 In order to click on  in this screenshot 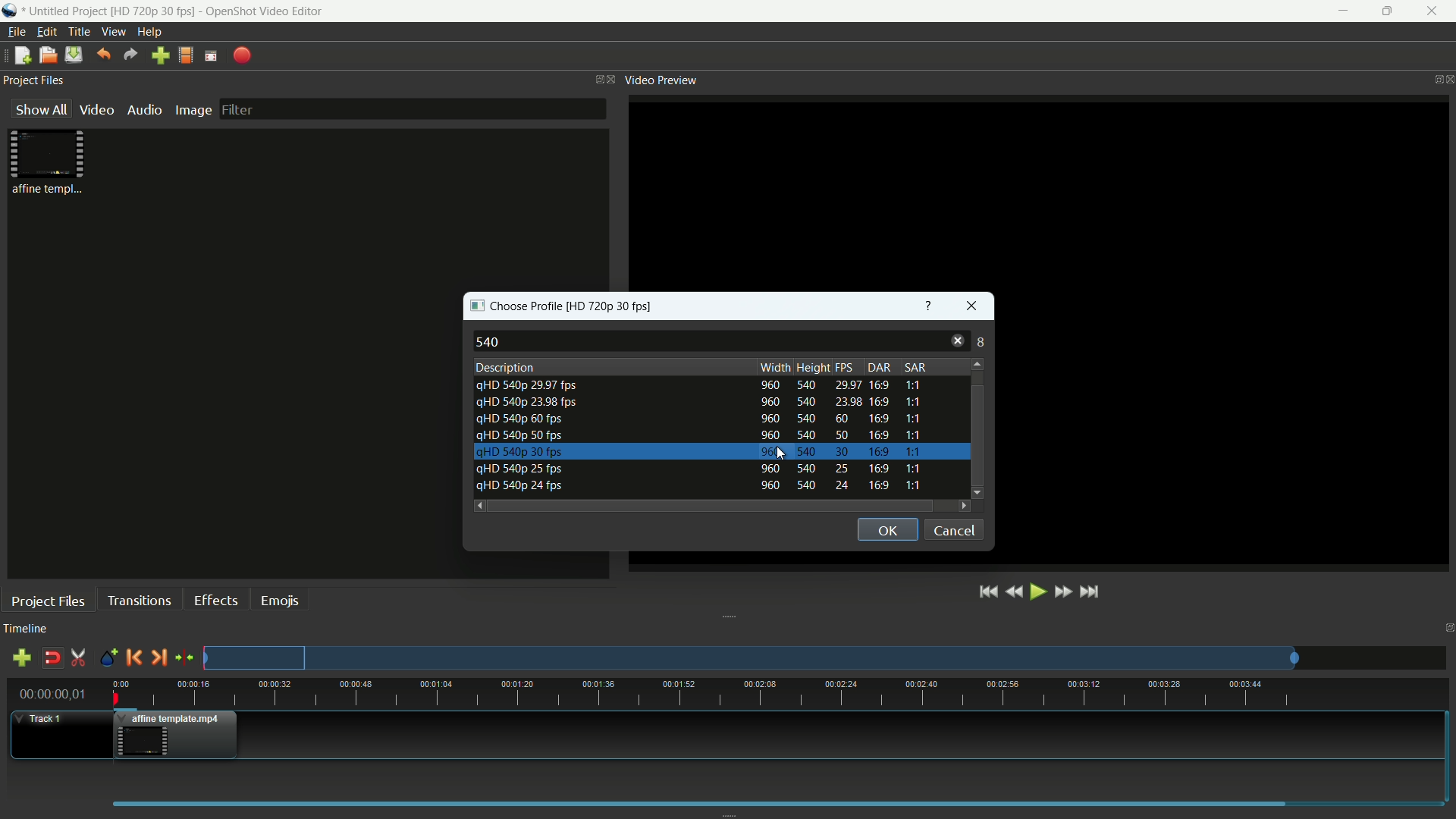, I will do `click(943, 312)`.